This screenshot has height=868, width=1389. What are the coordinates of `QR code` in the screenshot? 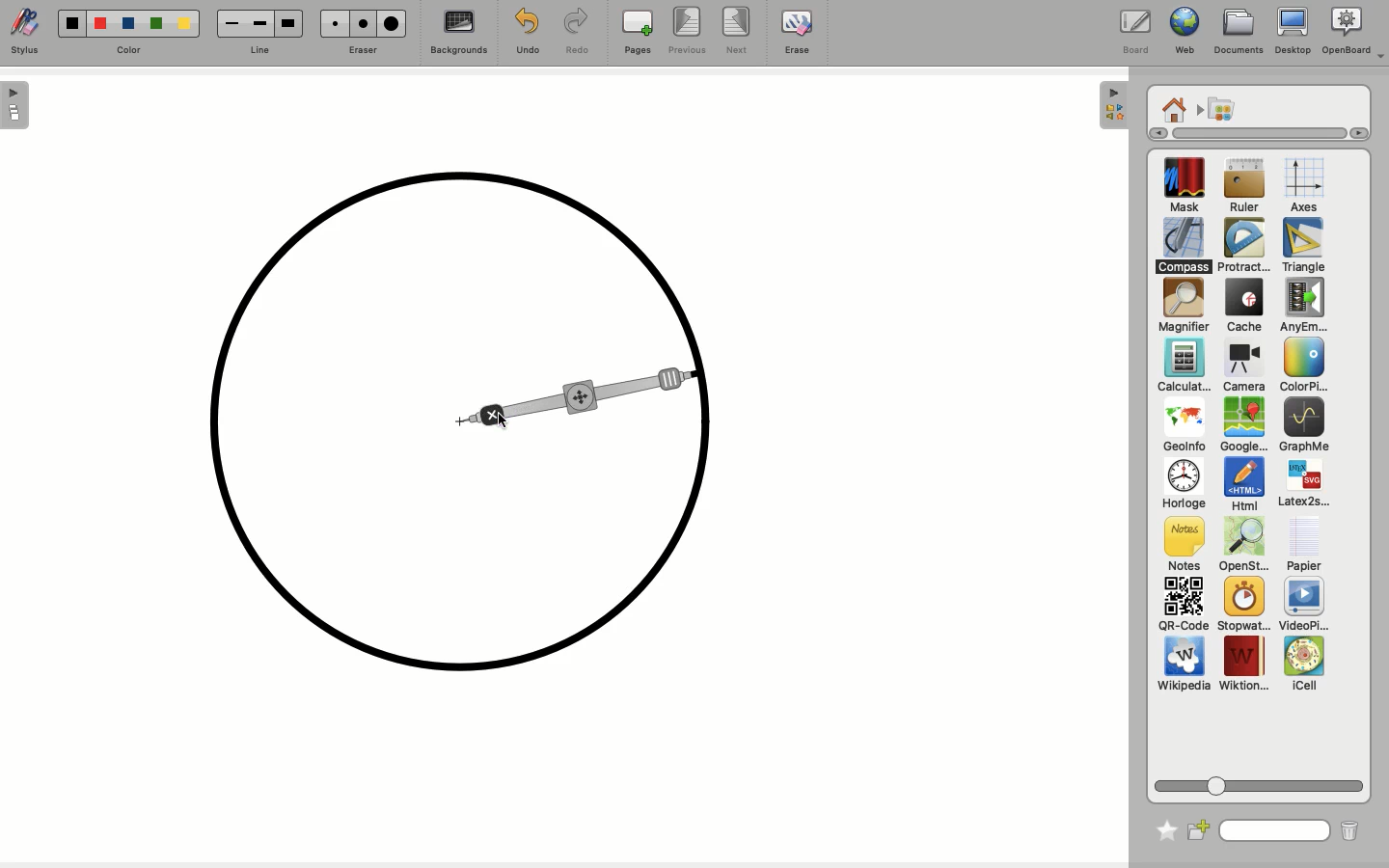 It's located at (1183, 607).